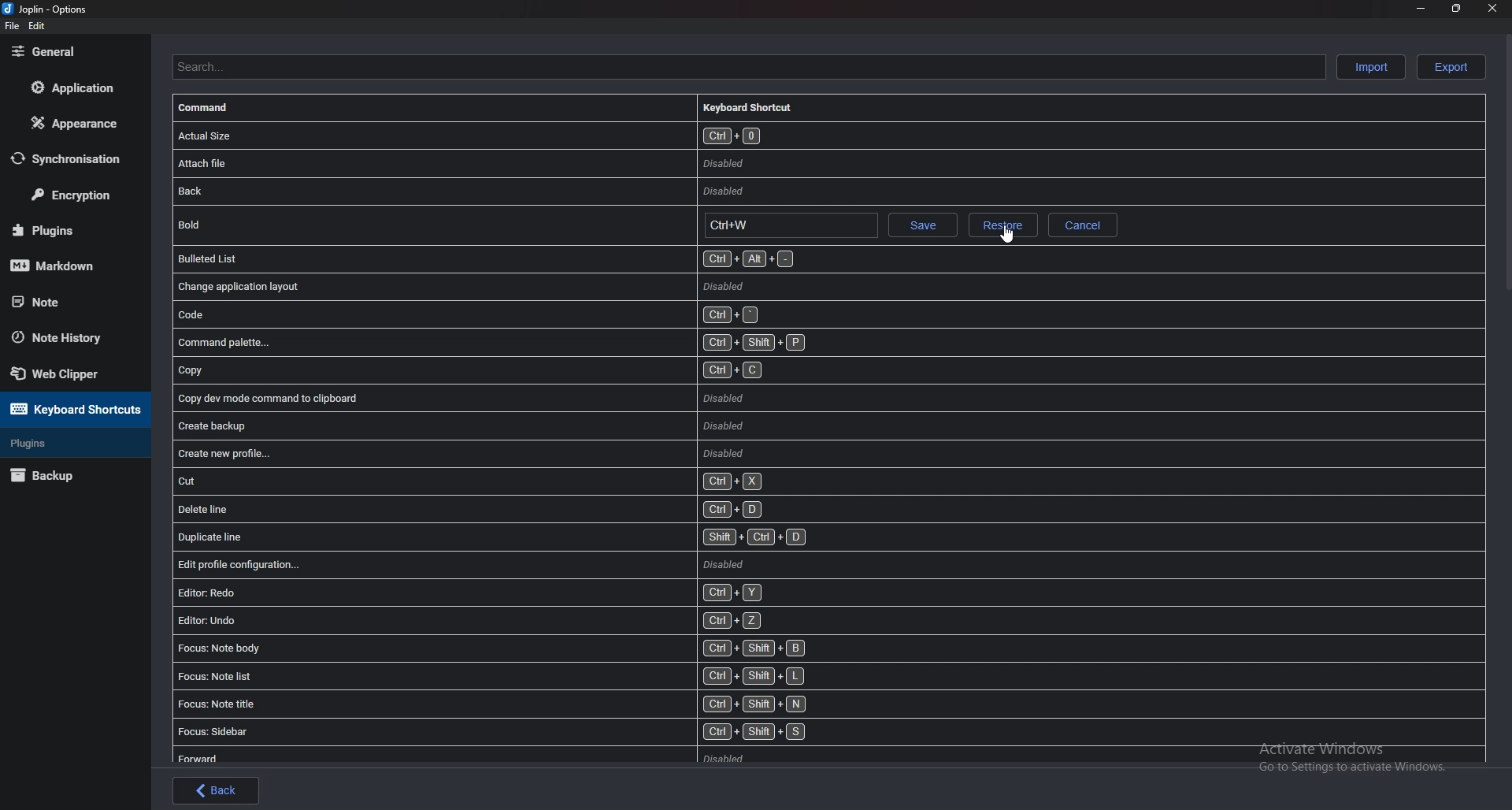  What do you see at coordinates (494, 675) in the screenshot?
I see `Focus note list` at bounding box center [494, 675].